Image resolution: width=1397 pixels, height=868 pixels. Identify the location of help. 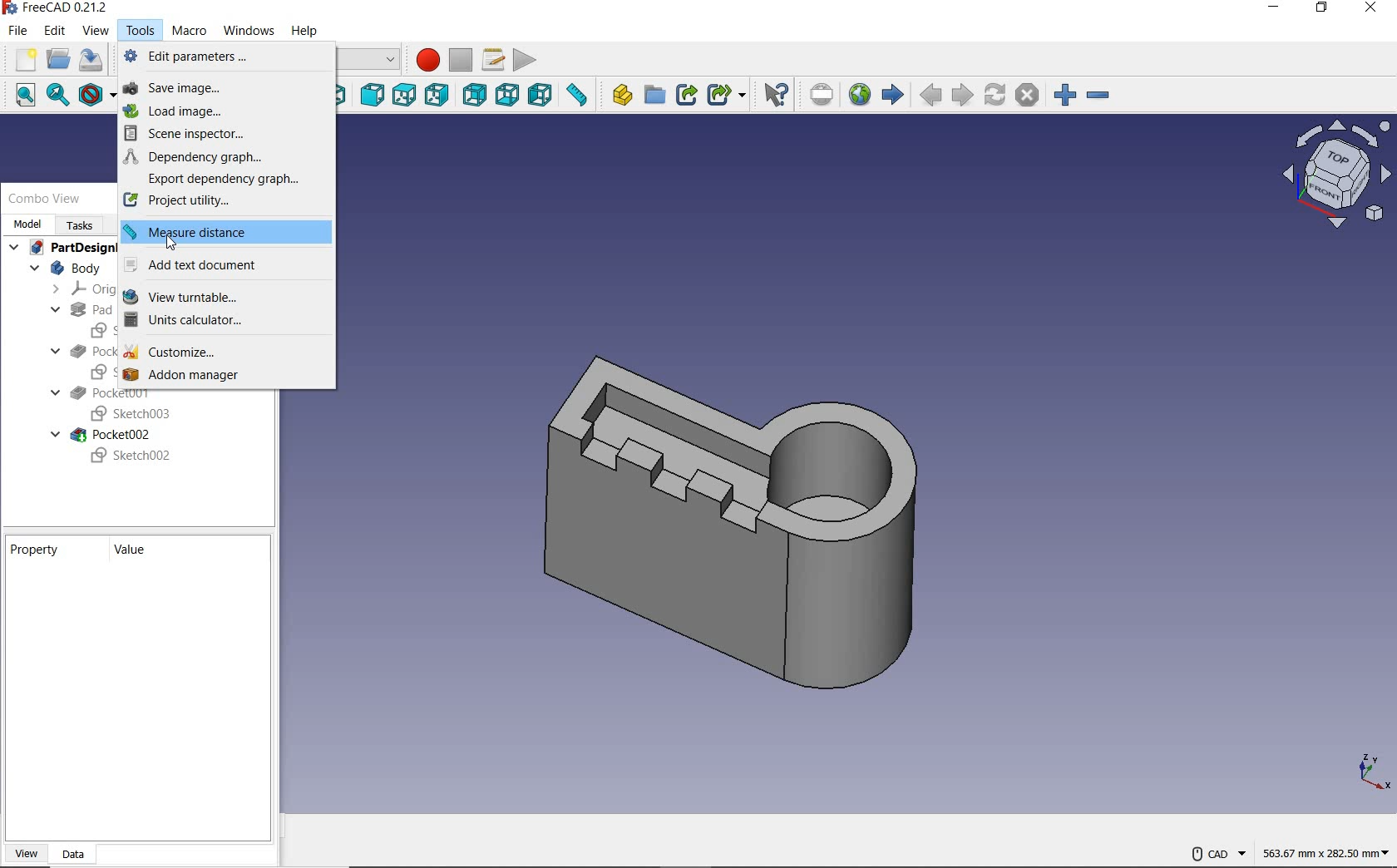
(305, 29).